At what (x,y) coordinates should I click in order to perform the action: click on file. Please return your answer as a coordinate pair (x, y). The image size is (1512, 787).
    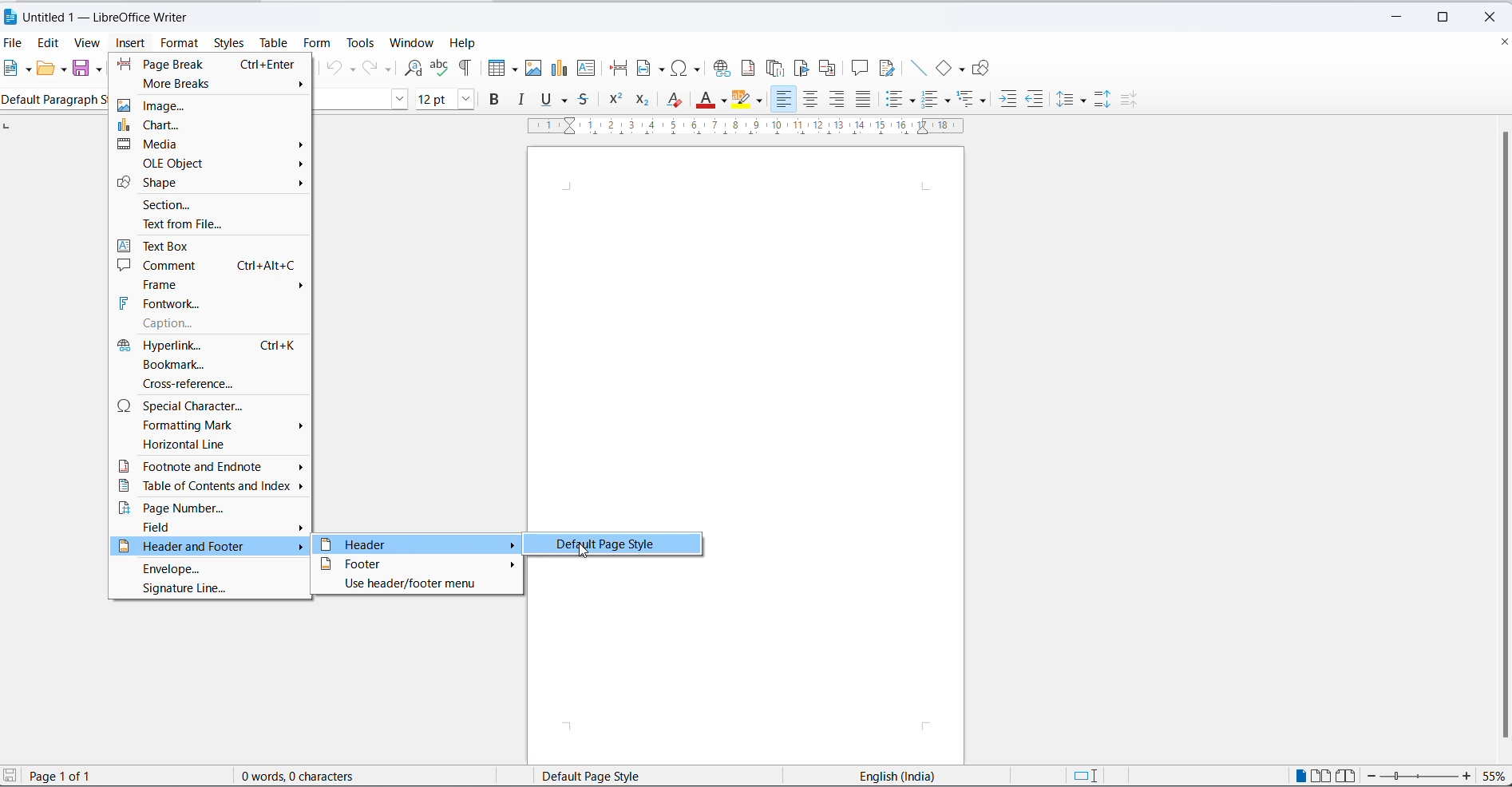
    Looking at the image, I should click on (14, 44).